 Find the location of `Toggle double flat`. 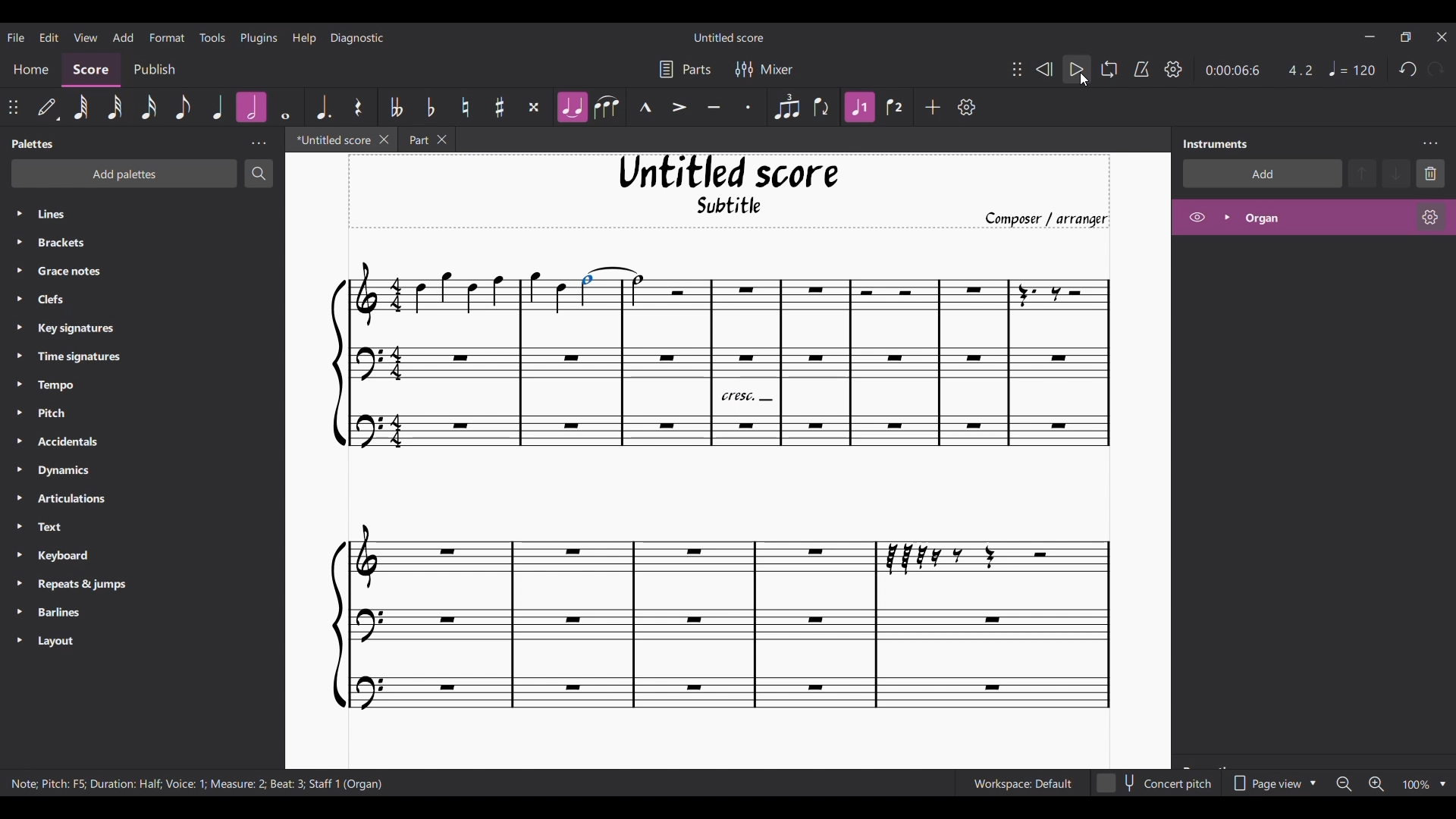

Toggle double flat is located at coordinates (395, 107).